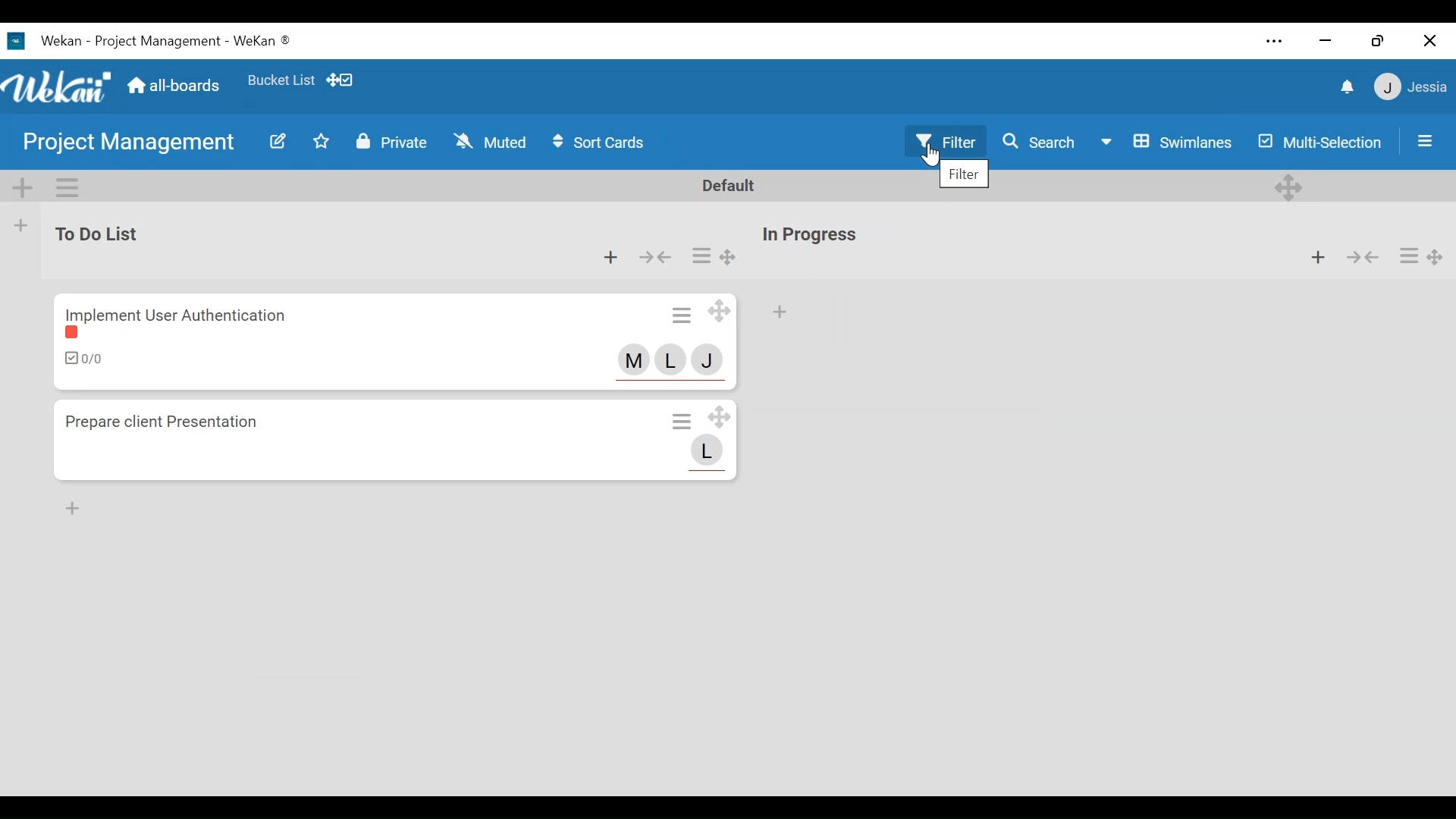 This screenshot has width=1456, height=819. Describe the element at coordinates (605, 257) in the screenshot. I see `Add card to top of the list` at that location.